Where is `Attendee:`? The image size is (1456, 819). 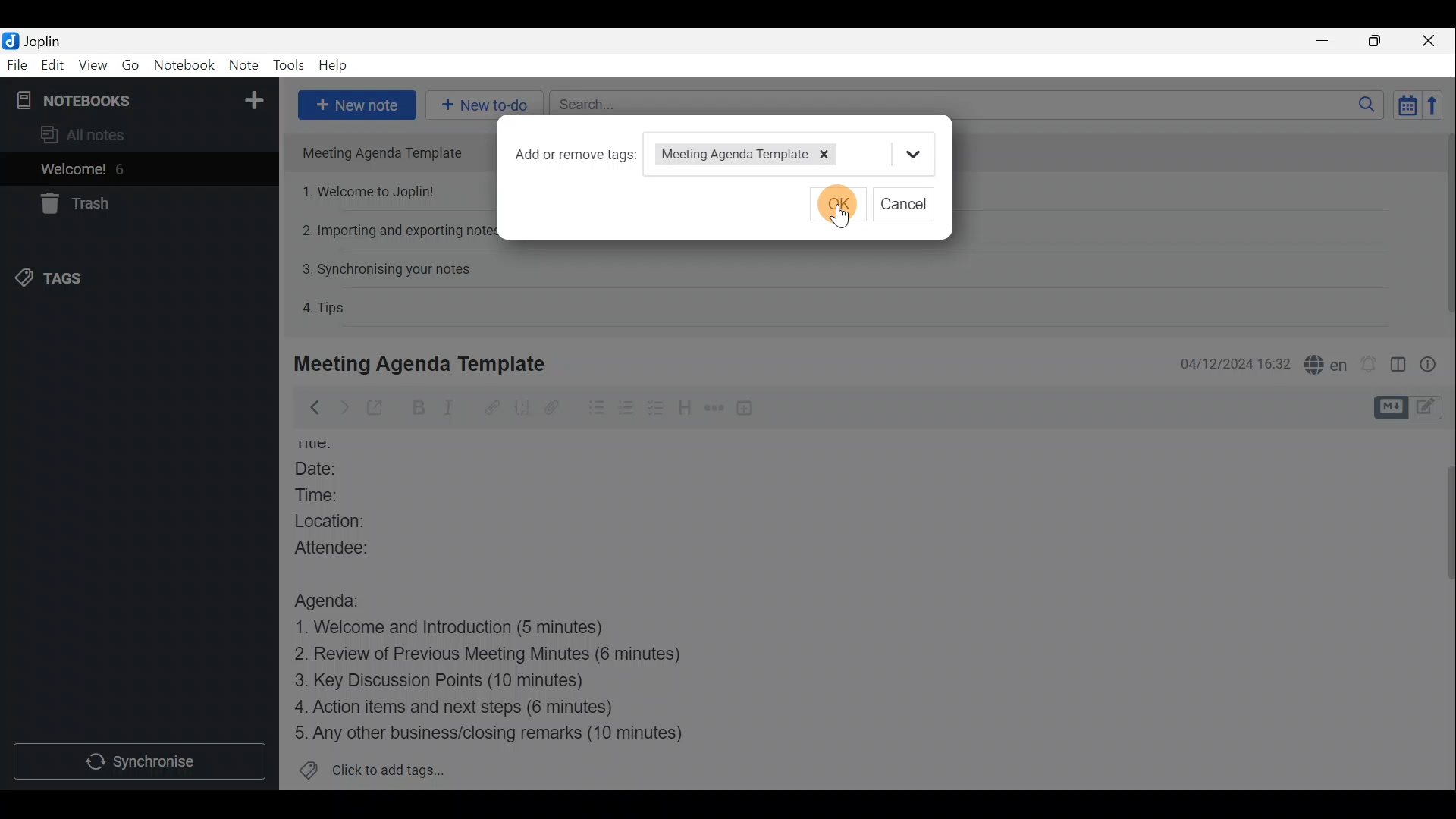 Attendee: is located at coordinates (350, 546).